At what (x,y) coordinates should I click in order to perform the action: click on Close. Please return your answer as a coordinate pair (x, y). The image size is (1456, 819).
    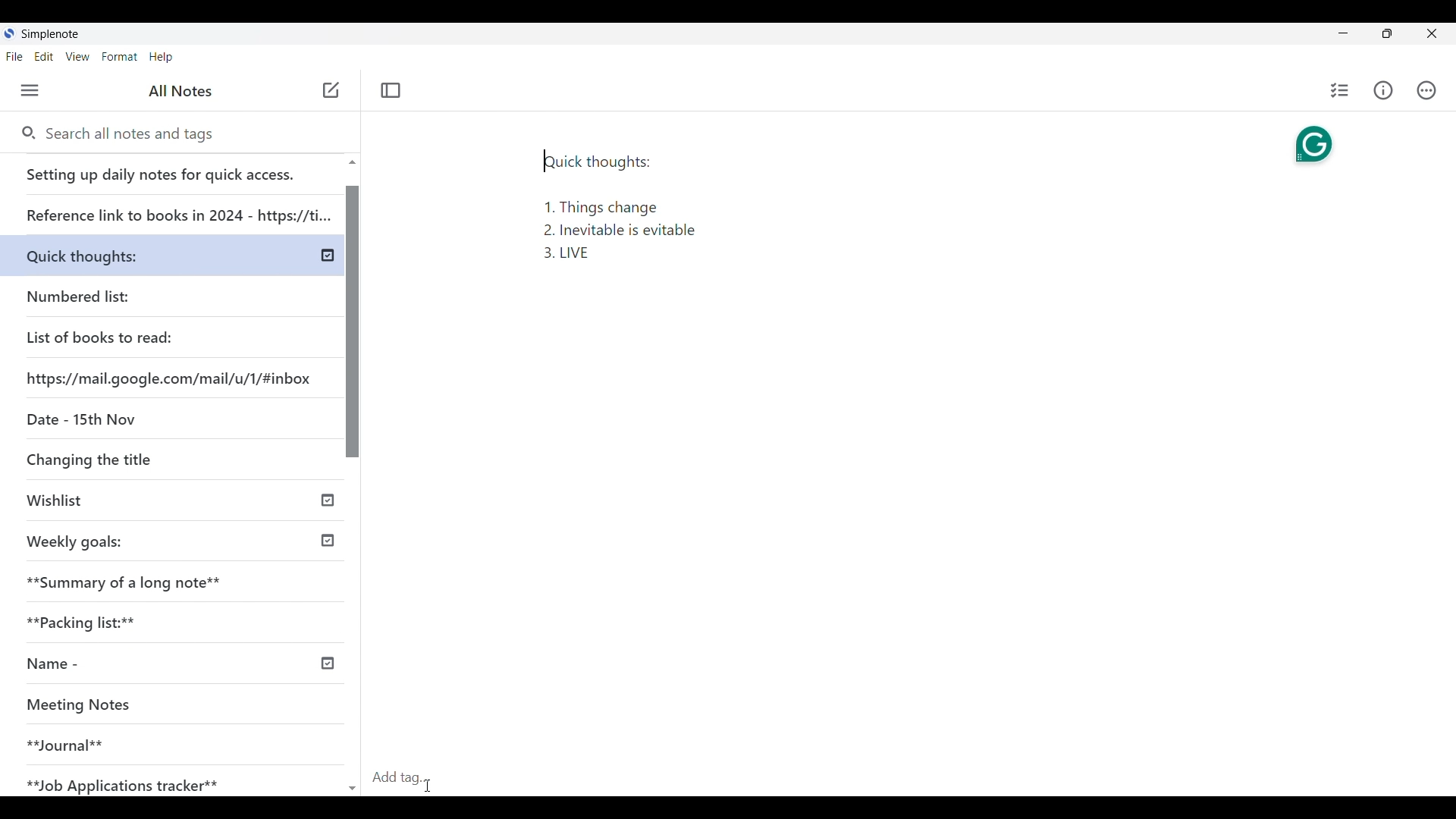
    Looking at the image, I should click on (1432, 33).